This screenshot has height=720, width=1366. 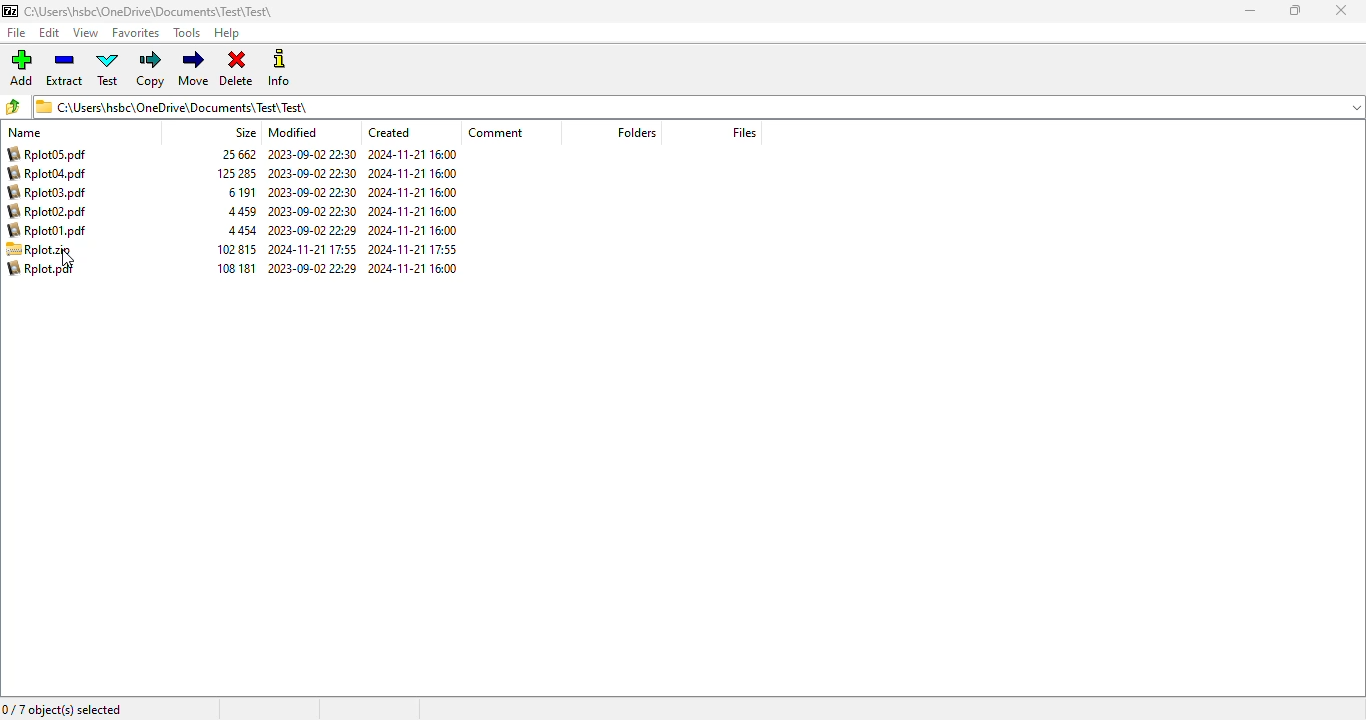 I want to click on collapse, so click(x=1356, y=108).